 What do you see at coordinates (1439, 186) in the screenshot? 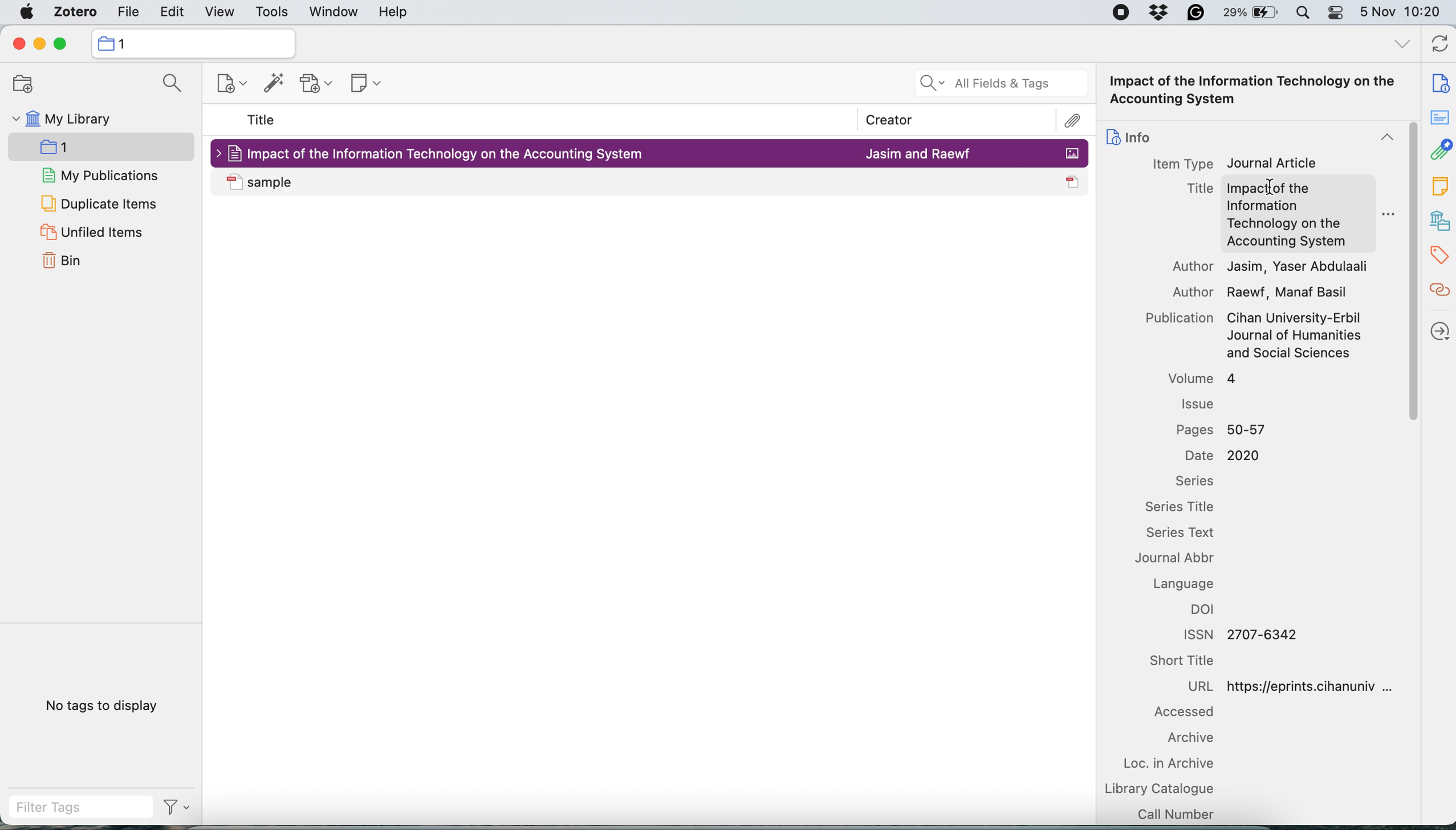
I see `note` at bounding box center [1439, 186].